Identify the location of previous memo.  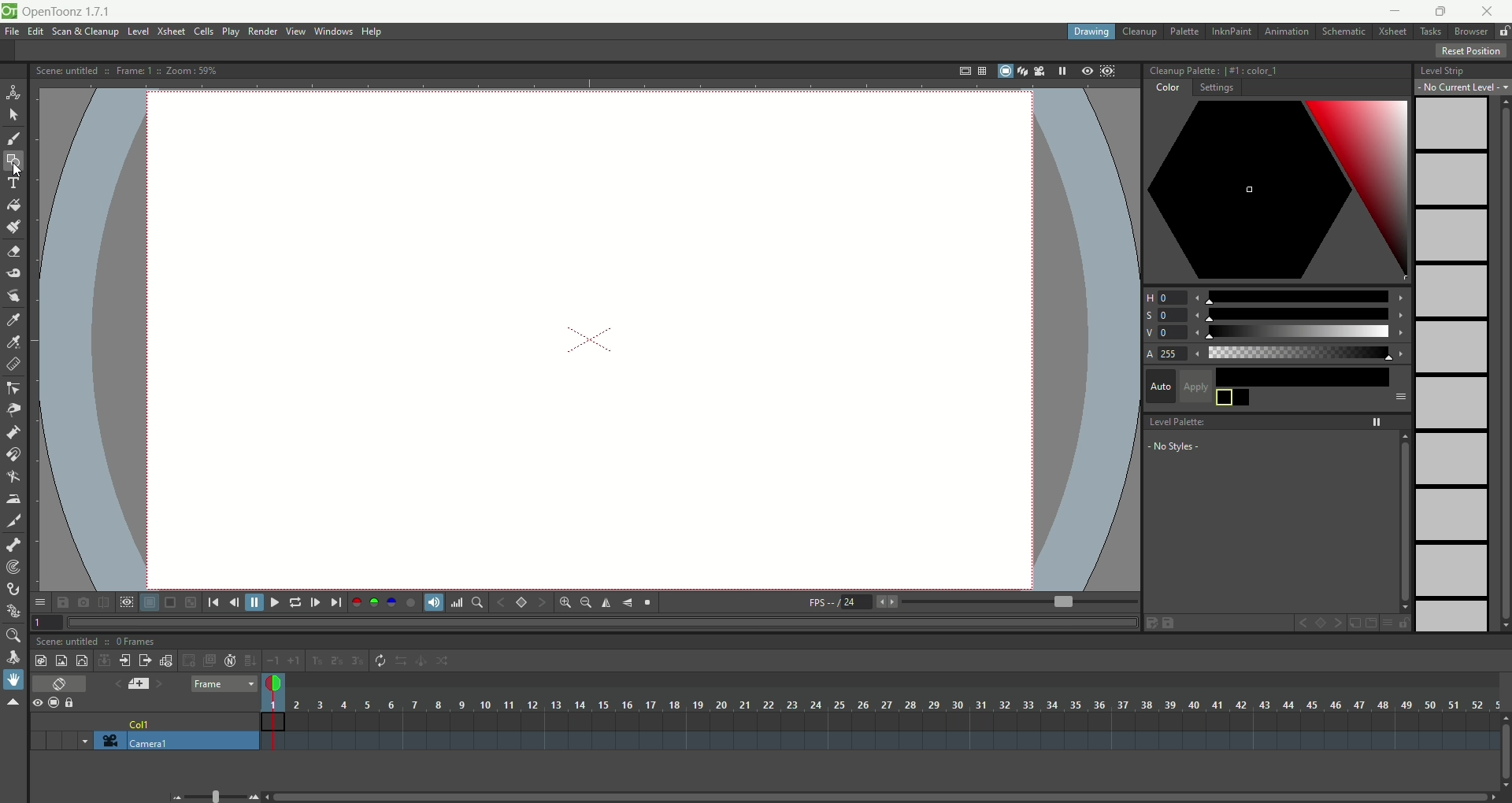
(114, 682).